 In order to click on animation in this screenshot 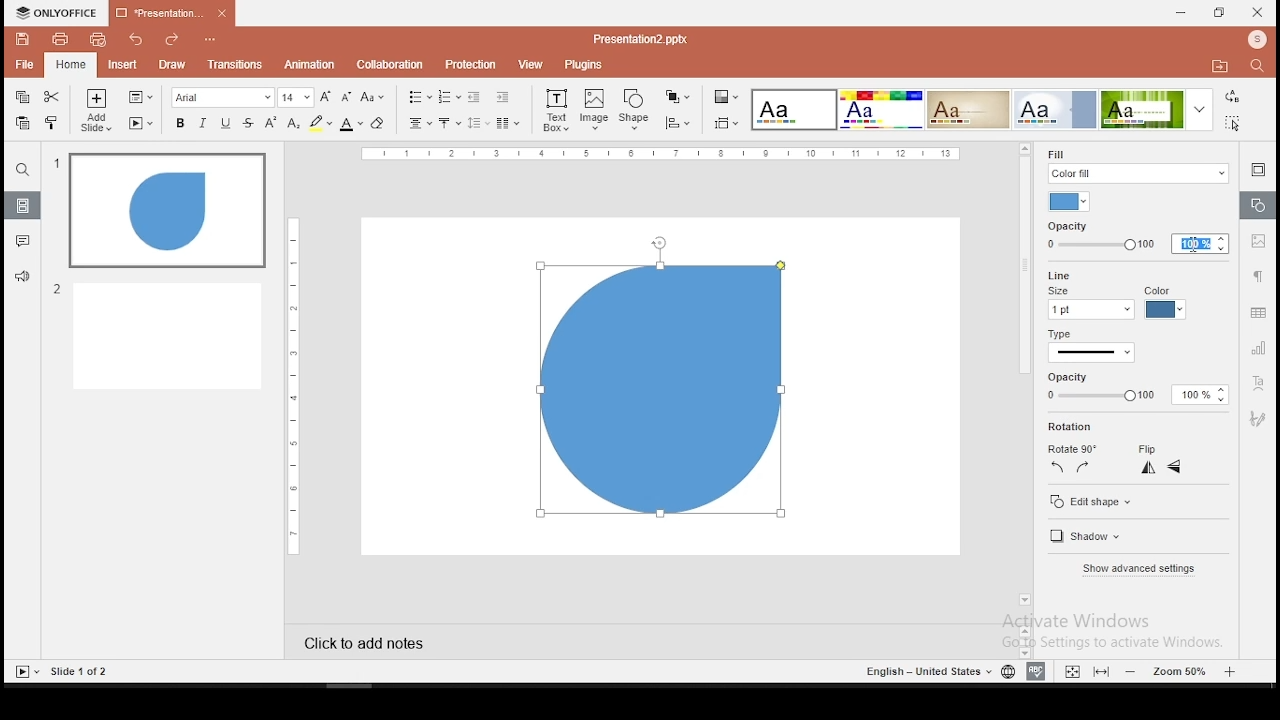, I will do `click(311, 64)`.